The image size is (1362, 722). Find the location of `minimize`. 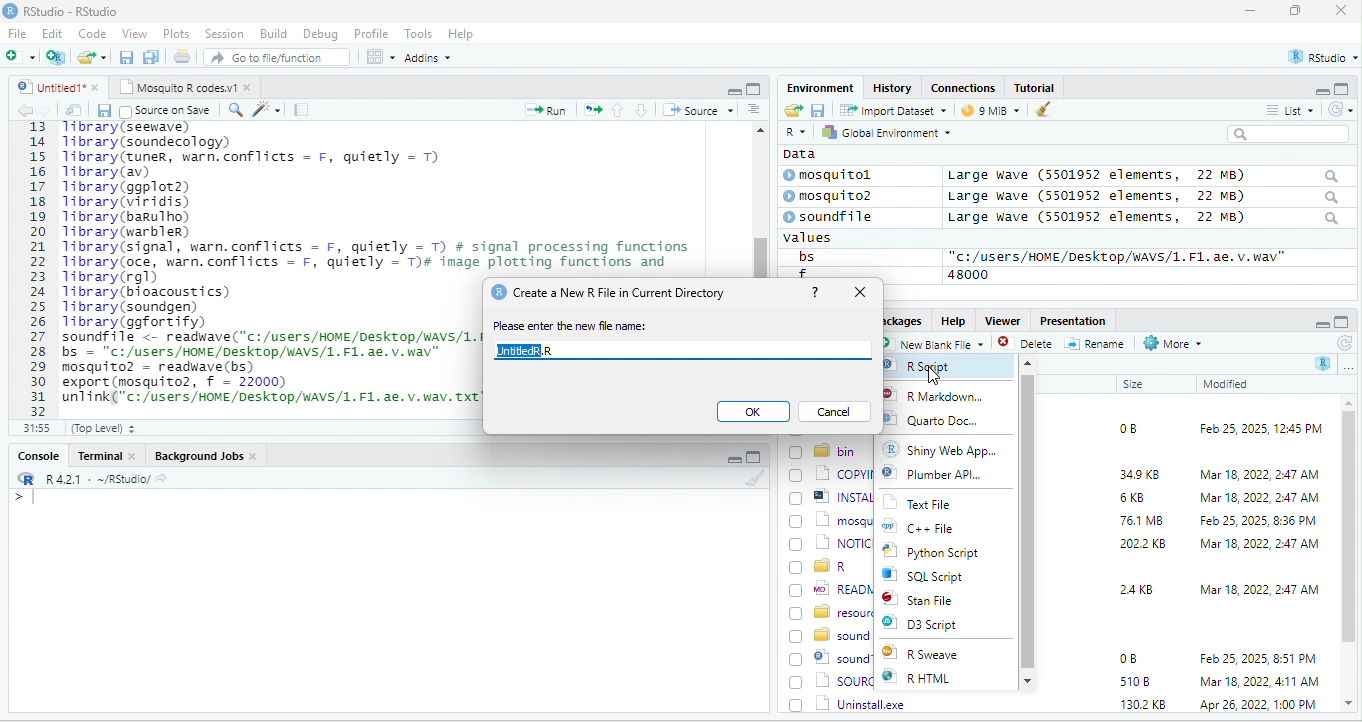

minimize is located at coordinates (731, 460).